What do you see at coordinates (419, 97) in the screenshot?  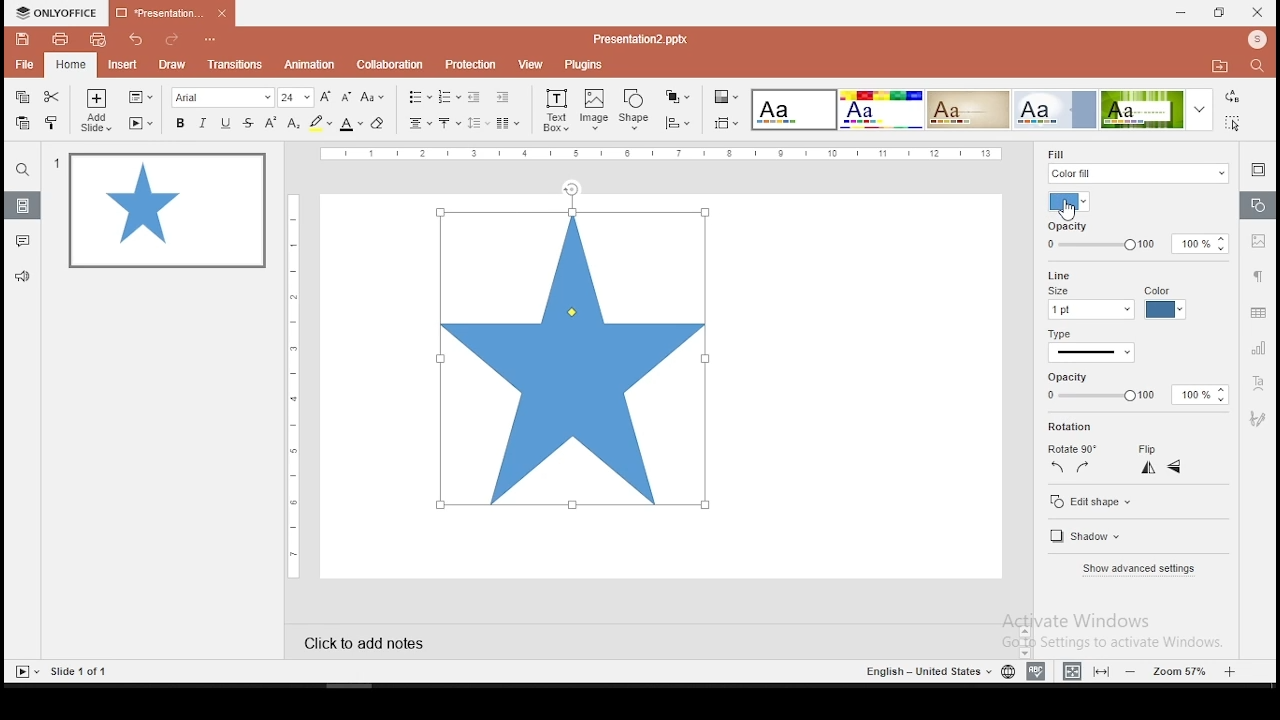 I see `bullets` at bounding box center [419, 97].